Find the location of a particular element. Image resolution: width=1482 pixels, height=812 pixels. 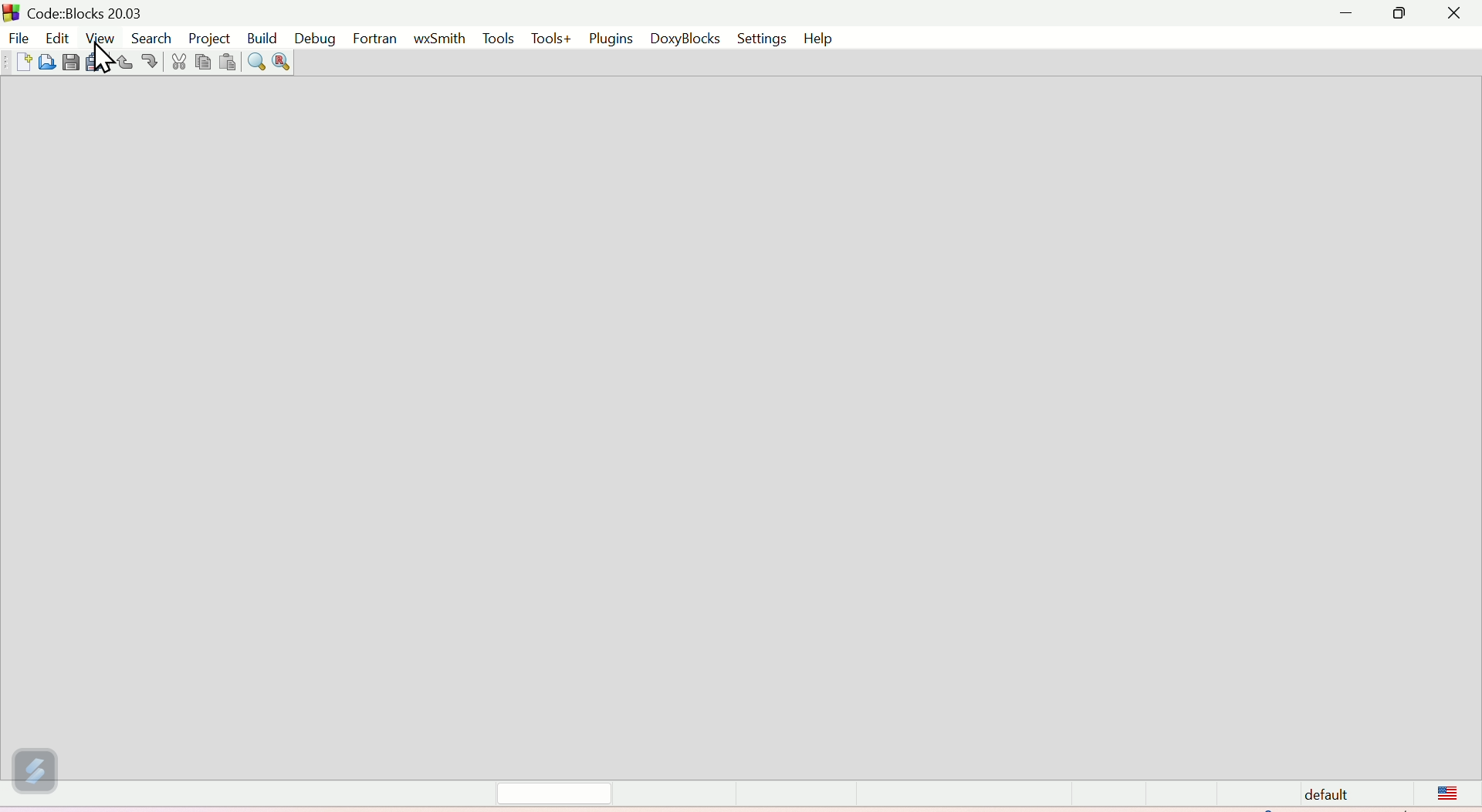

 is located at coordinates (121, 64).